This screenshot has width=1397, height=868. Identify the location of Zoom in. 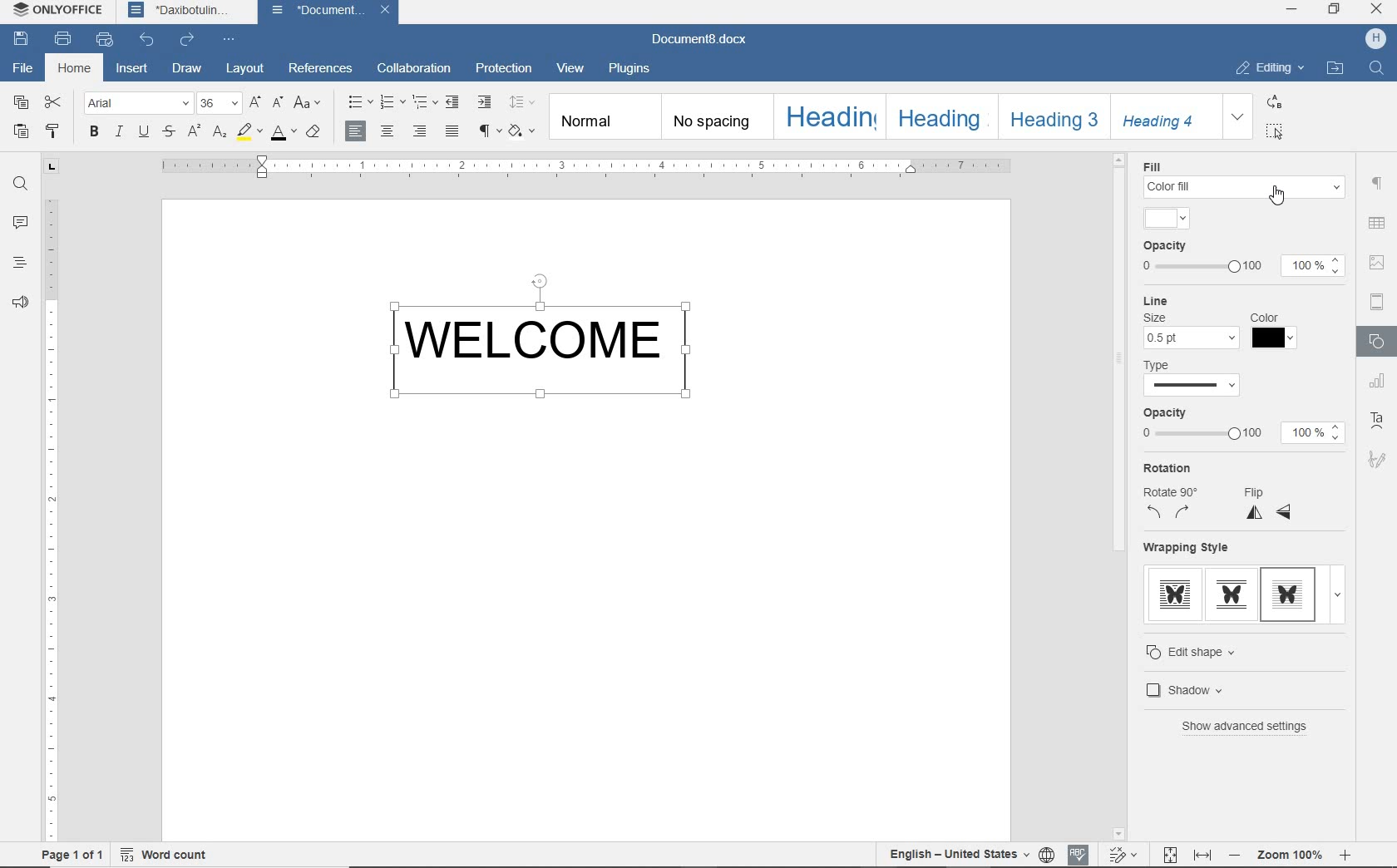
(1345, 855).